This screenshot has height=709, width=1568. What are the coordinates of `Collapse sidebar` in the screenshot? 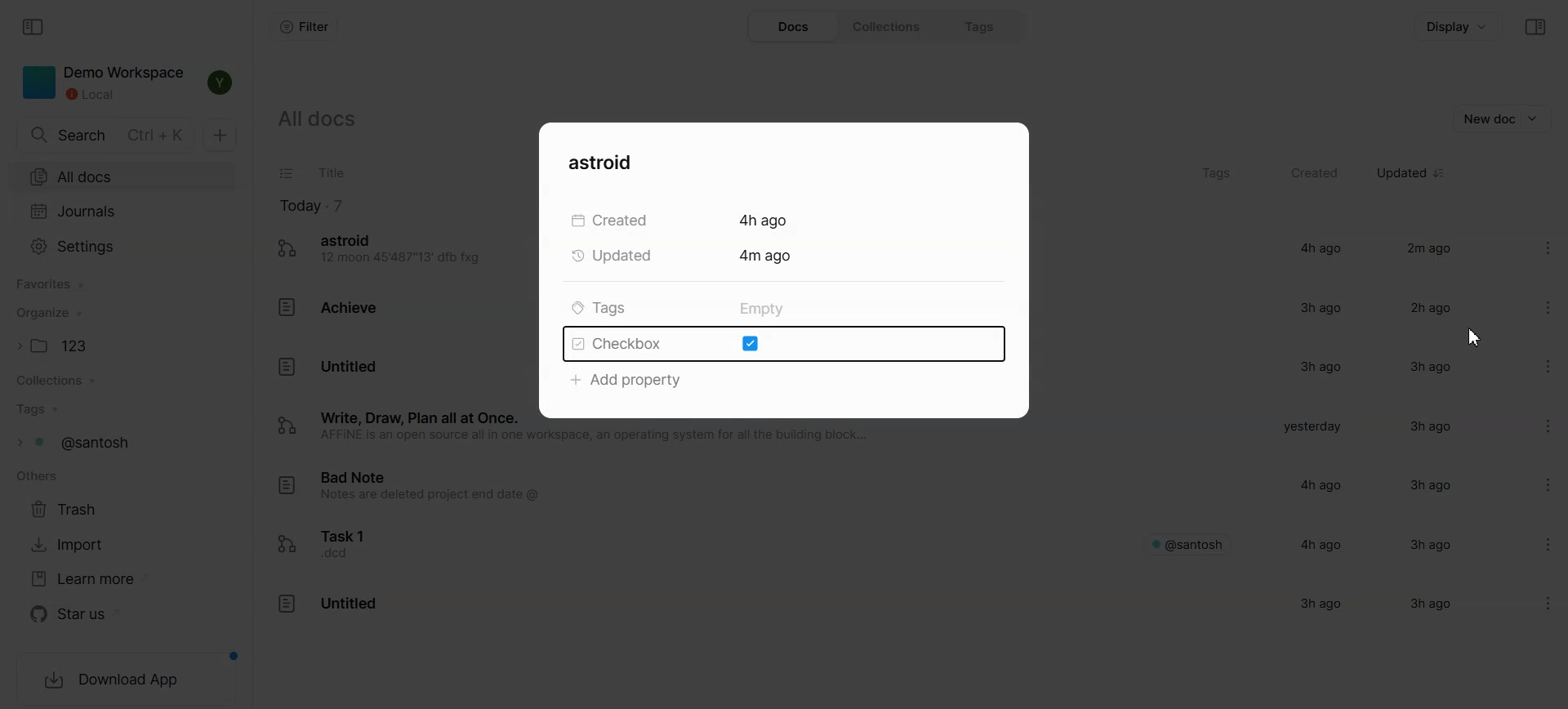 It's located at (1535, 28).